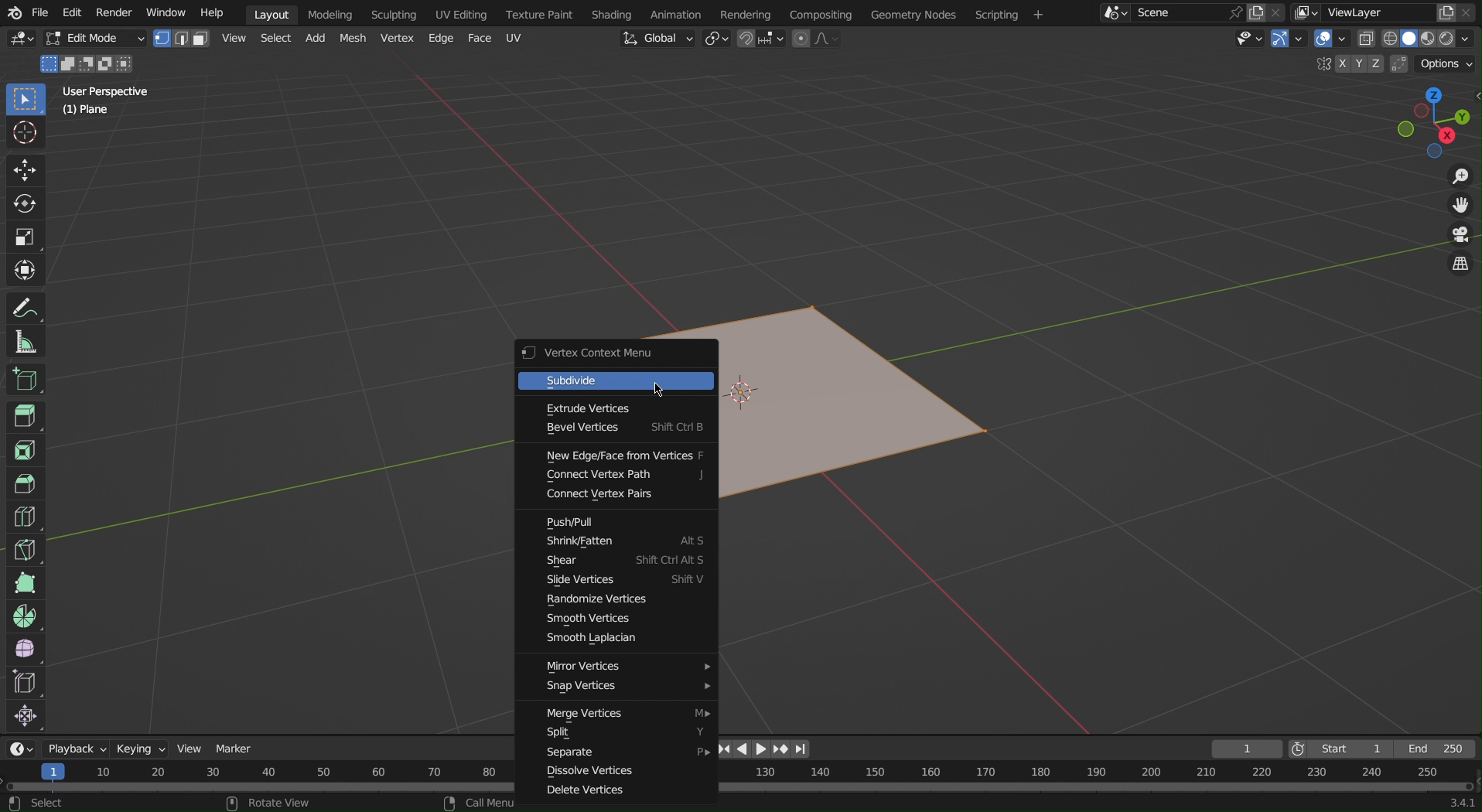  Describe the element at coordinates (621, 496) in the screenshot. I see `Connect Vertex Pairs` at that location.